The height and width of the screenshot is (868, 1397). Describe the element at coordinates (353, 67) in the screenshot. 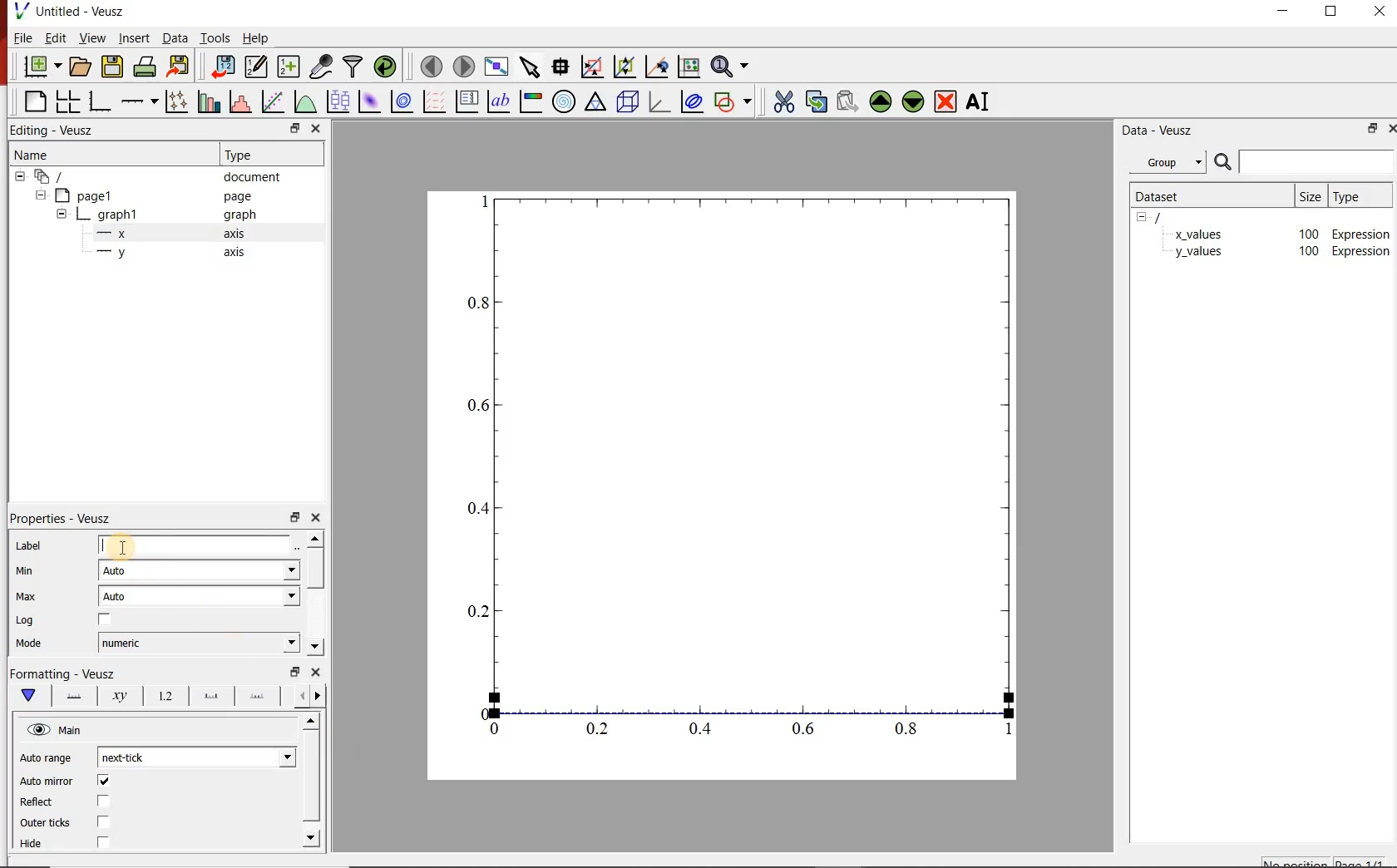

I see `filter data` at that location.